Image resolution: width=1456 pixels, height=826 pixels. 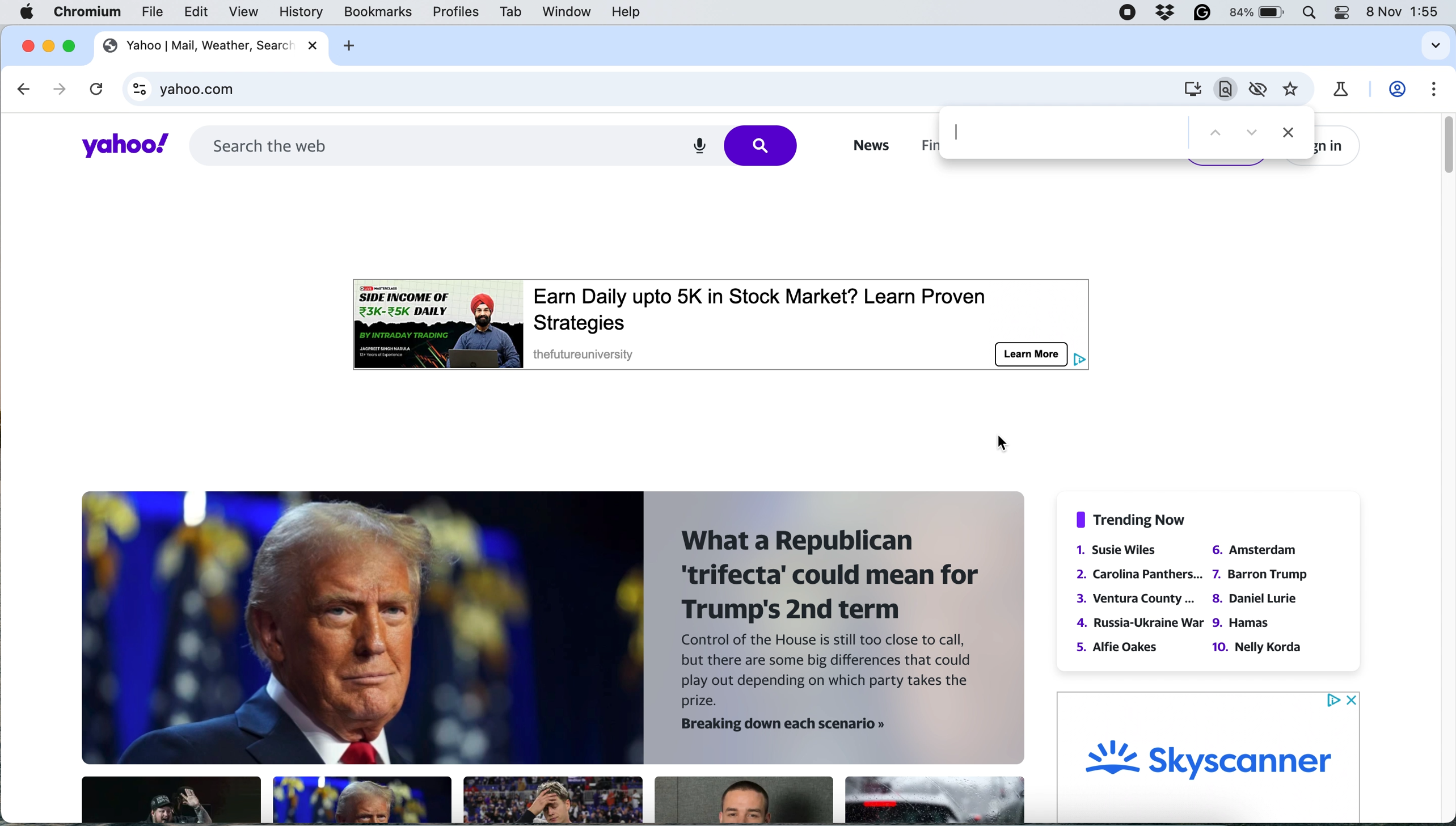 I want to click on Susie, so click(x=1125, y=550).